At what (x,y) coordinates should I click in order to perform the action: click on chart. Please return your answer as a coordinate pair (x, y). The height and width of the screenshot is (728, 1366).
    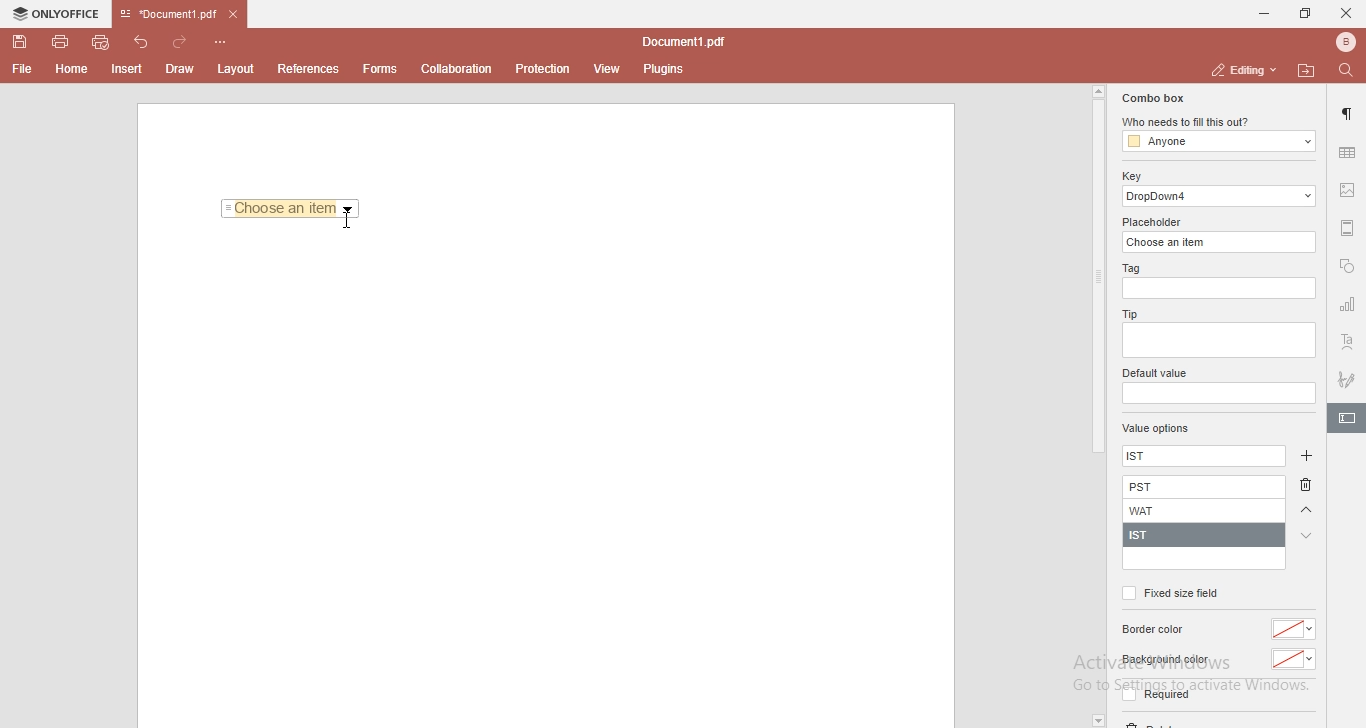
    Looking at the image, I should click on (1348, 308).